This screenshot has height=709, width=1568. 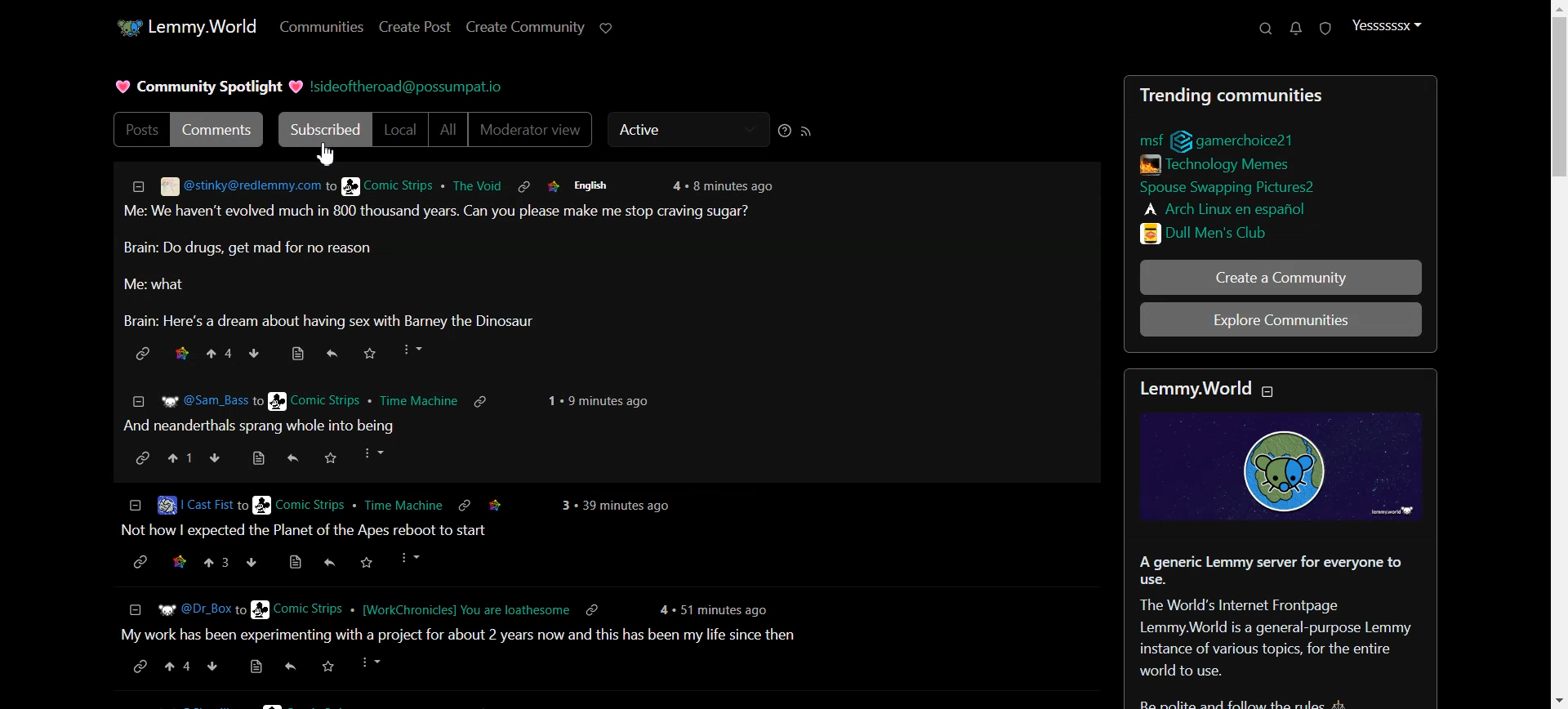 What do you see at coordinates (594, 185) in the screenshot?
I see `english` at bounding box center [594, 185].